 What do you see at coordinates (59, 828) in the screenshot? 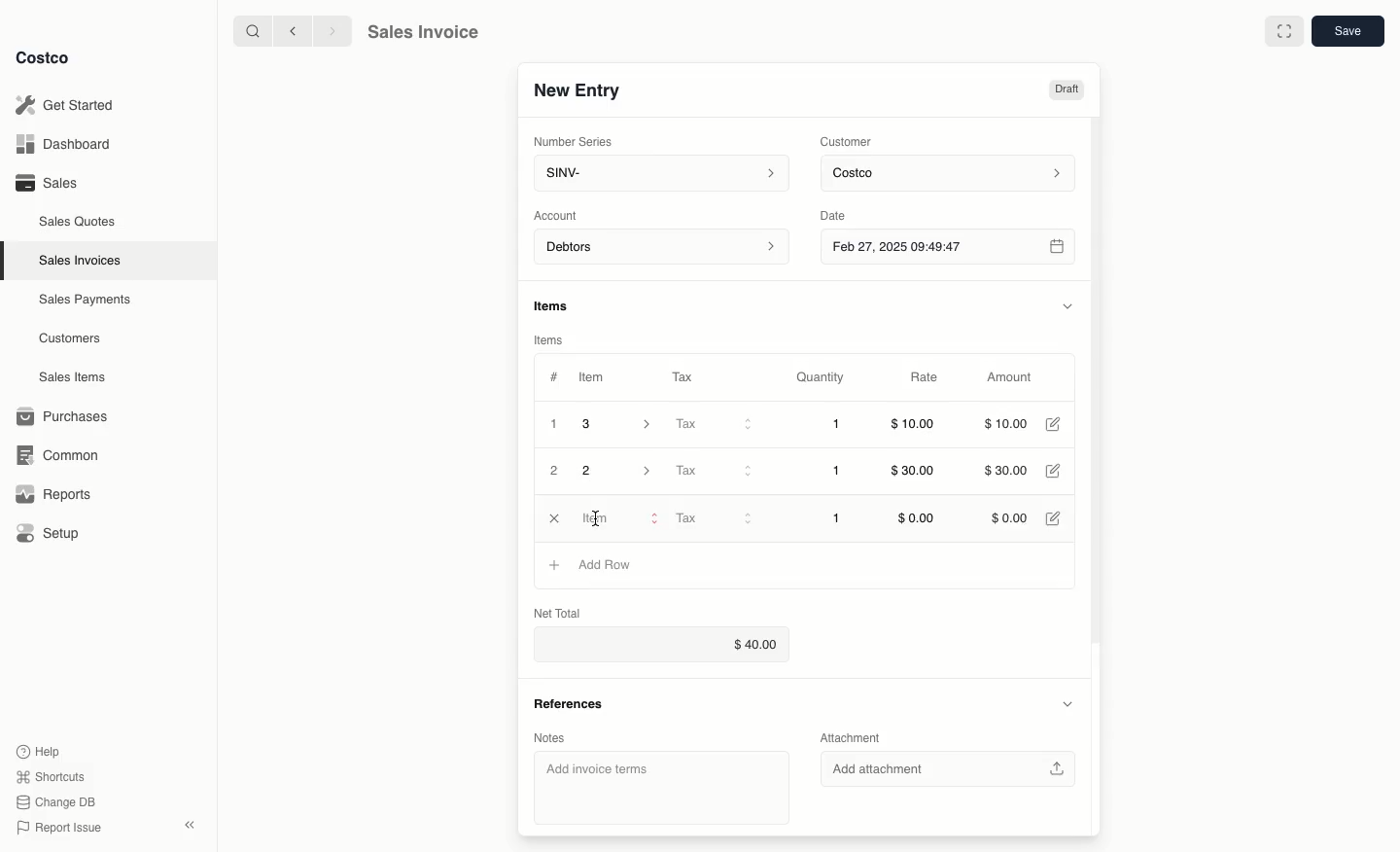
I see `Report Issue` at bounding box center [59, 828].